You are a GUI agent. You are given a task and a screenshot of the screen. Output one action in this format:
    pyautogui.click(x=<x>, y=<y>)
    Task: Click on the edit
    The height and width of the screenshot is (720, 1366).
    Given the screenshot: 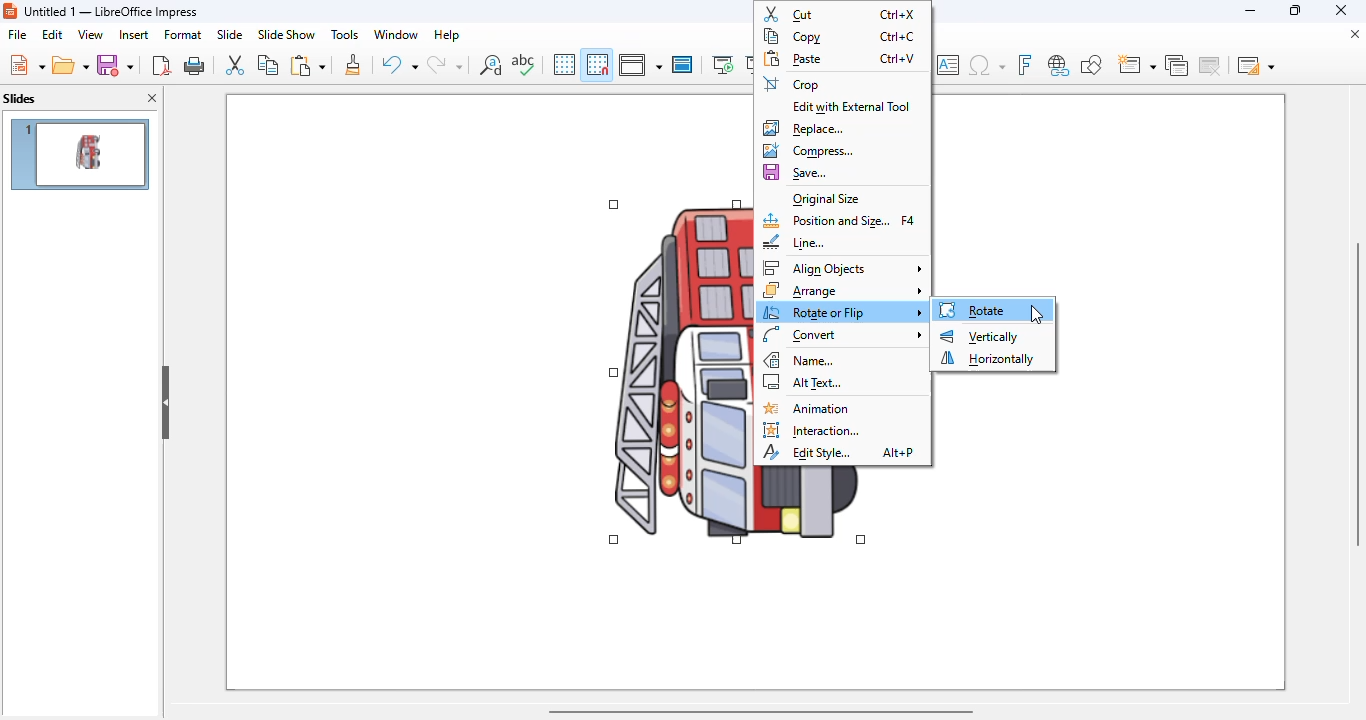 What is the action you would take?
    pyautogui.click(x=52, y=34)
    